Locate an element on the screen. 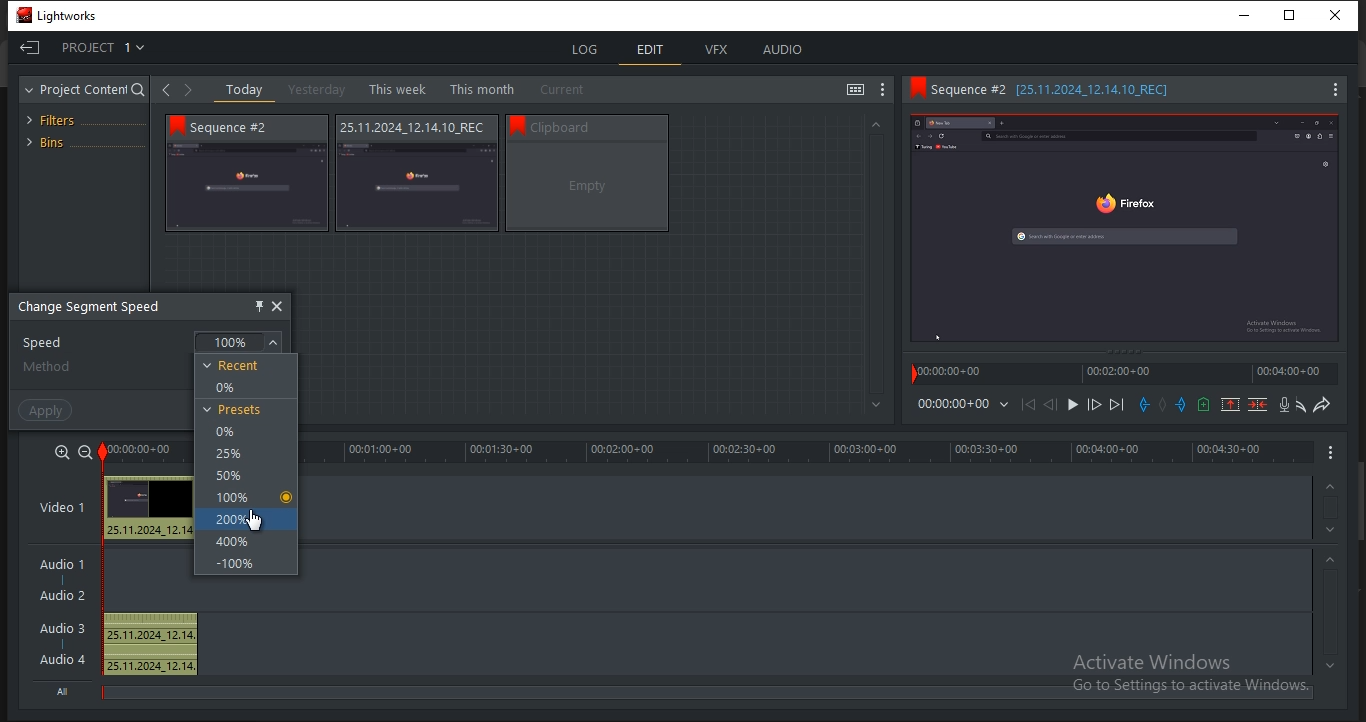 The image size is (1366, 722). Playback marker is located at coordinates (907, 375).